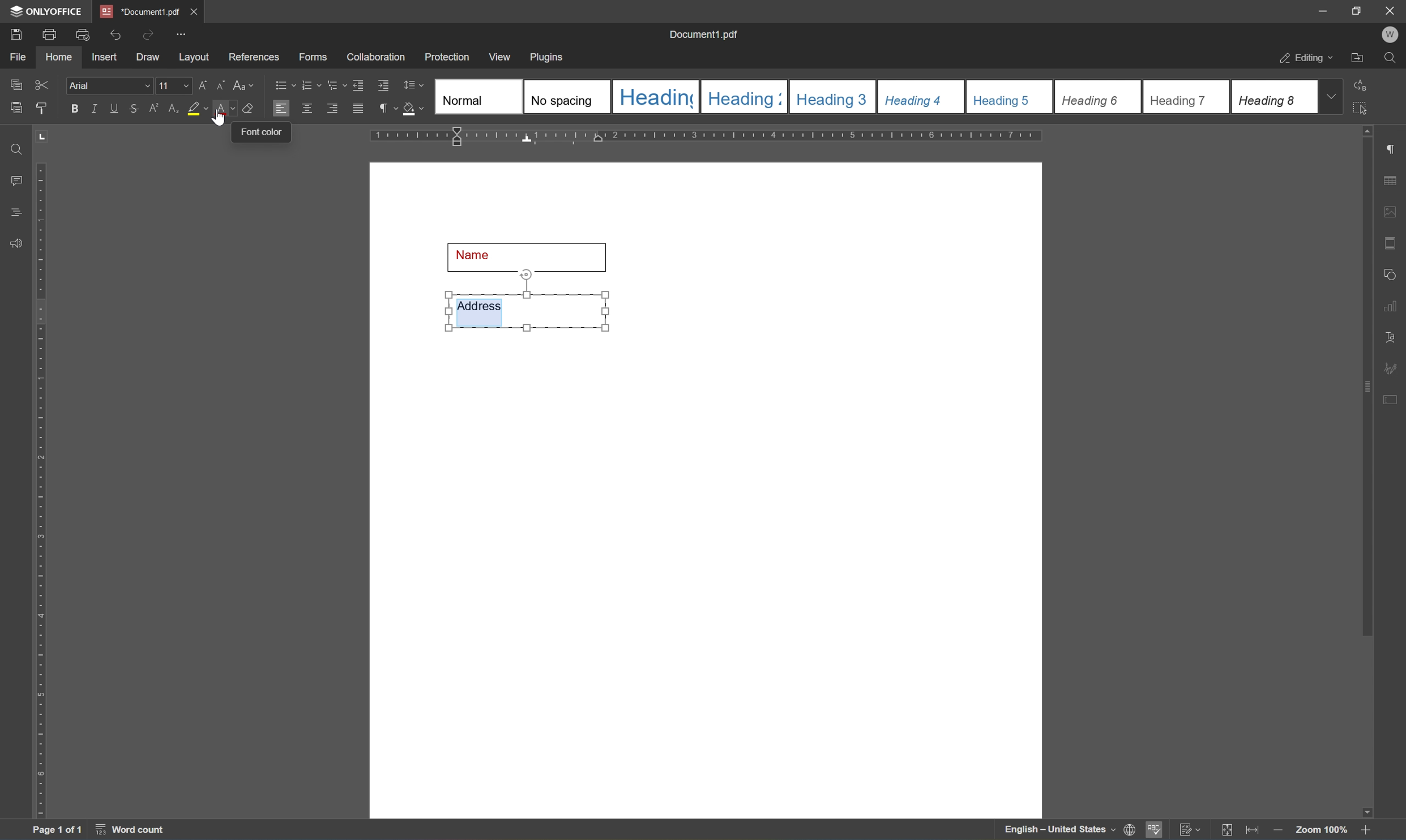 Image resolution: width=1406 pixels, height=840 pixels. Describe the element at coordinates (139, 11) in the screenshot. I see `presentation1.pdf` at that location.